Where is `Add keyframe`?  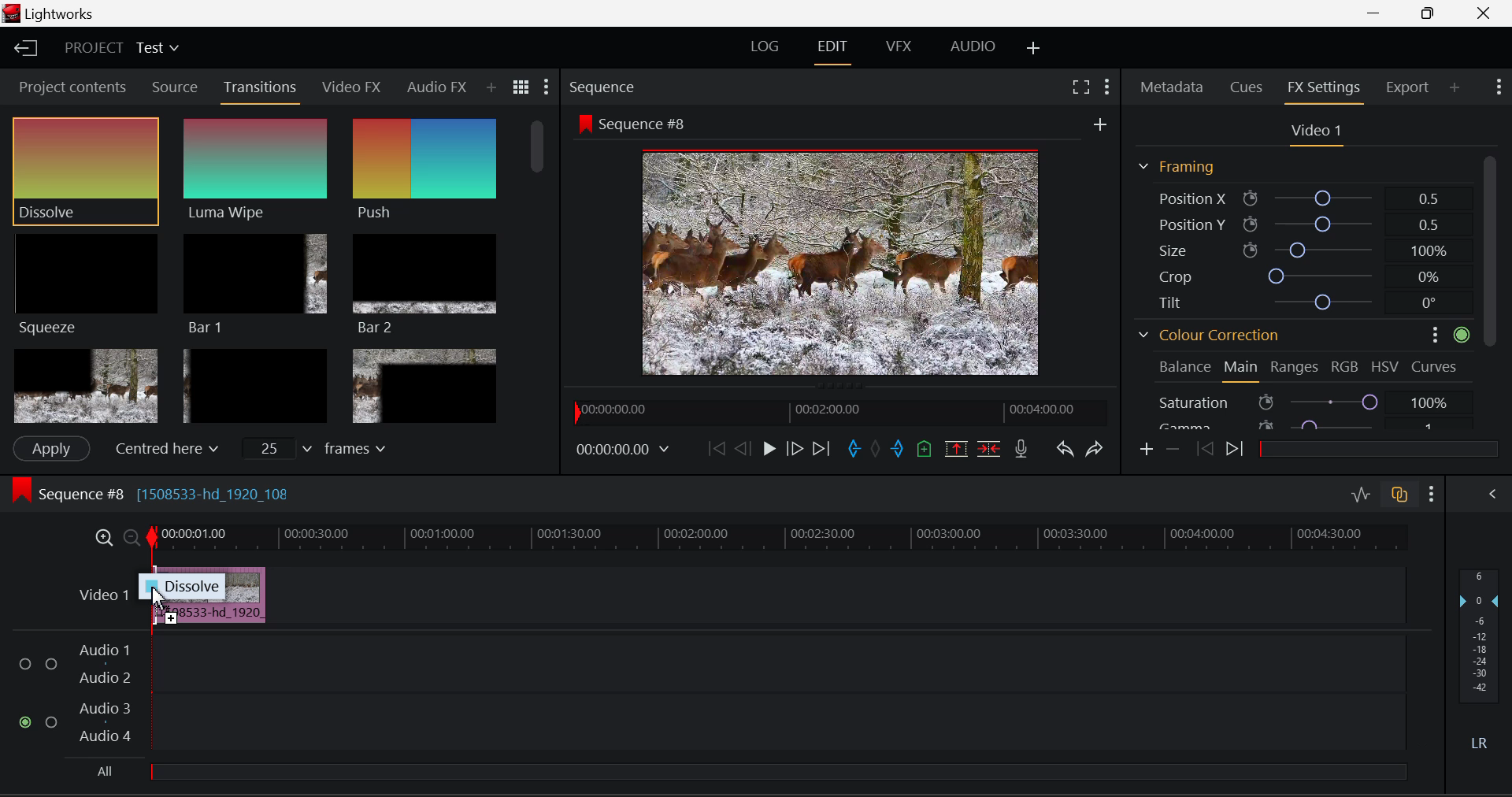 Add keyframe is located at coordinates (1147, 450).